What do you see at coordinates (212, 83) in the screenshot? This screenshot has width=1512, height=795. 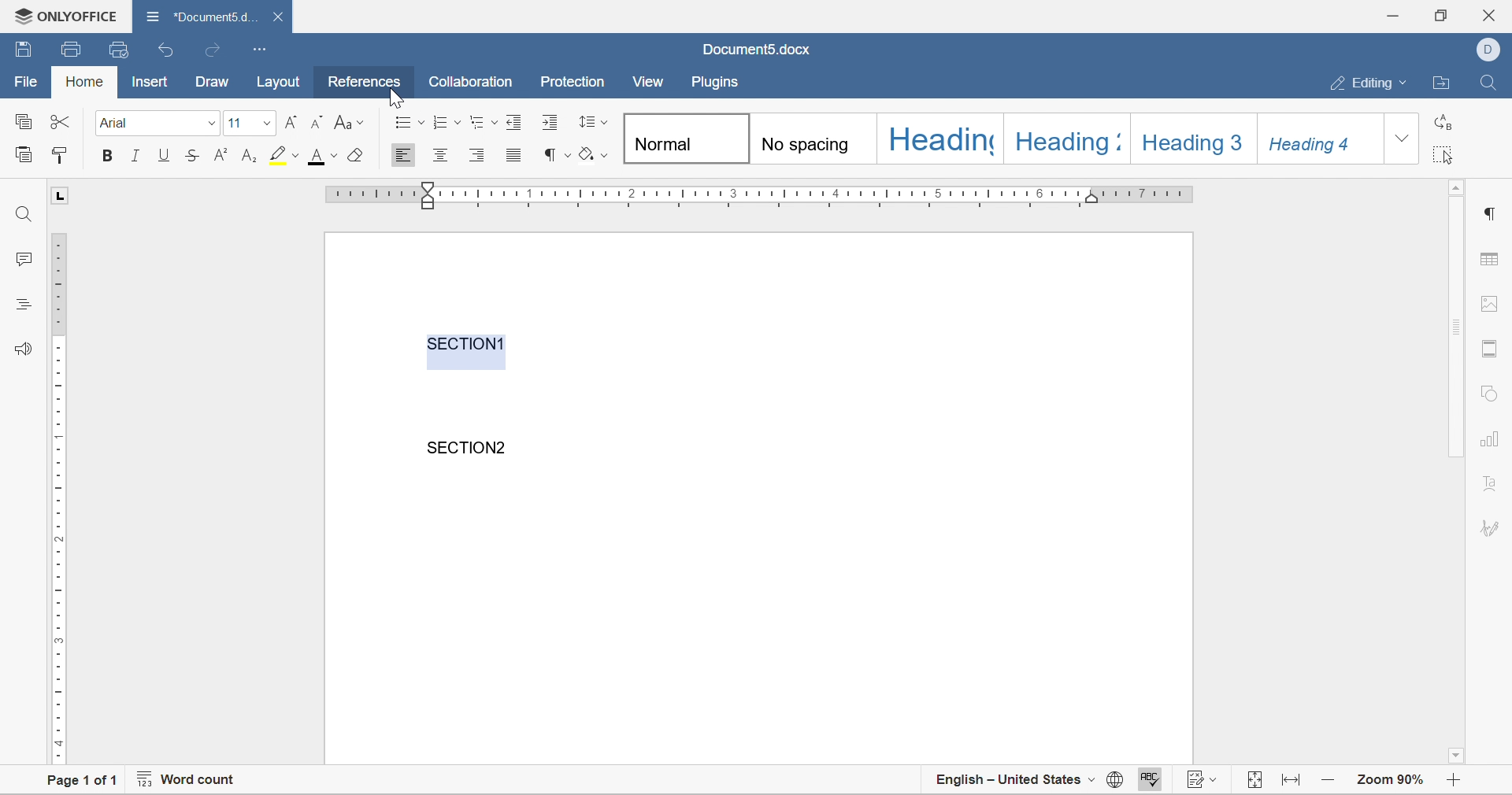 I see `draw` at bounding box center [212, 83].